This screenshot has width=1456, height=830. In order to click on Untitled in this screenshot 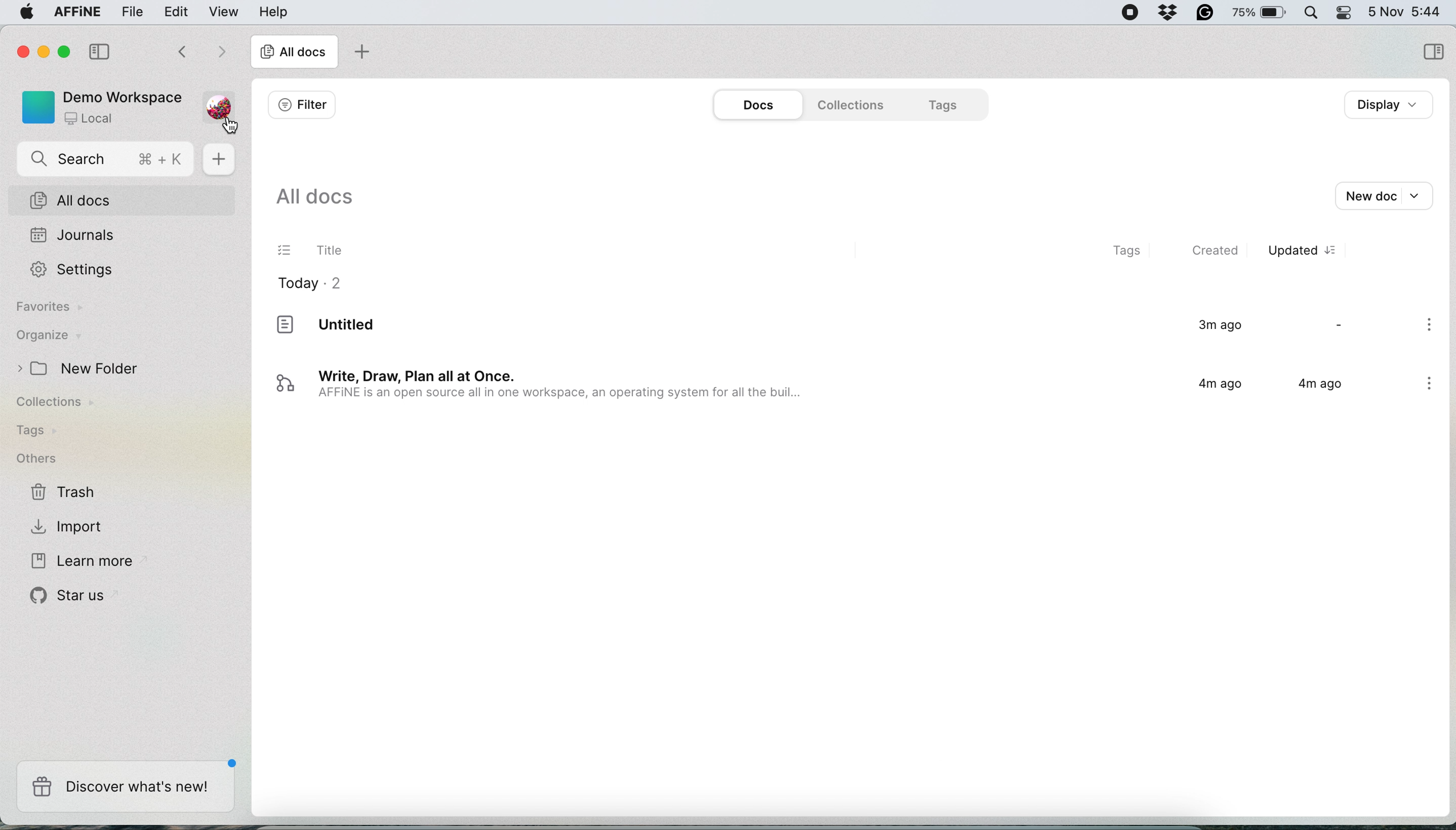, I will do `click(372, 327)`.